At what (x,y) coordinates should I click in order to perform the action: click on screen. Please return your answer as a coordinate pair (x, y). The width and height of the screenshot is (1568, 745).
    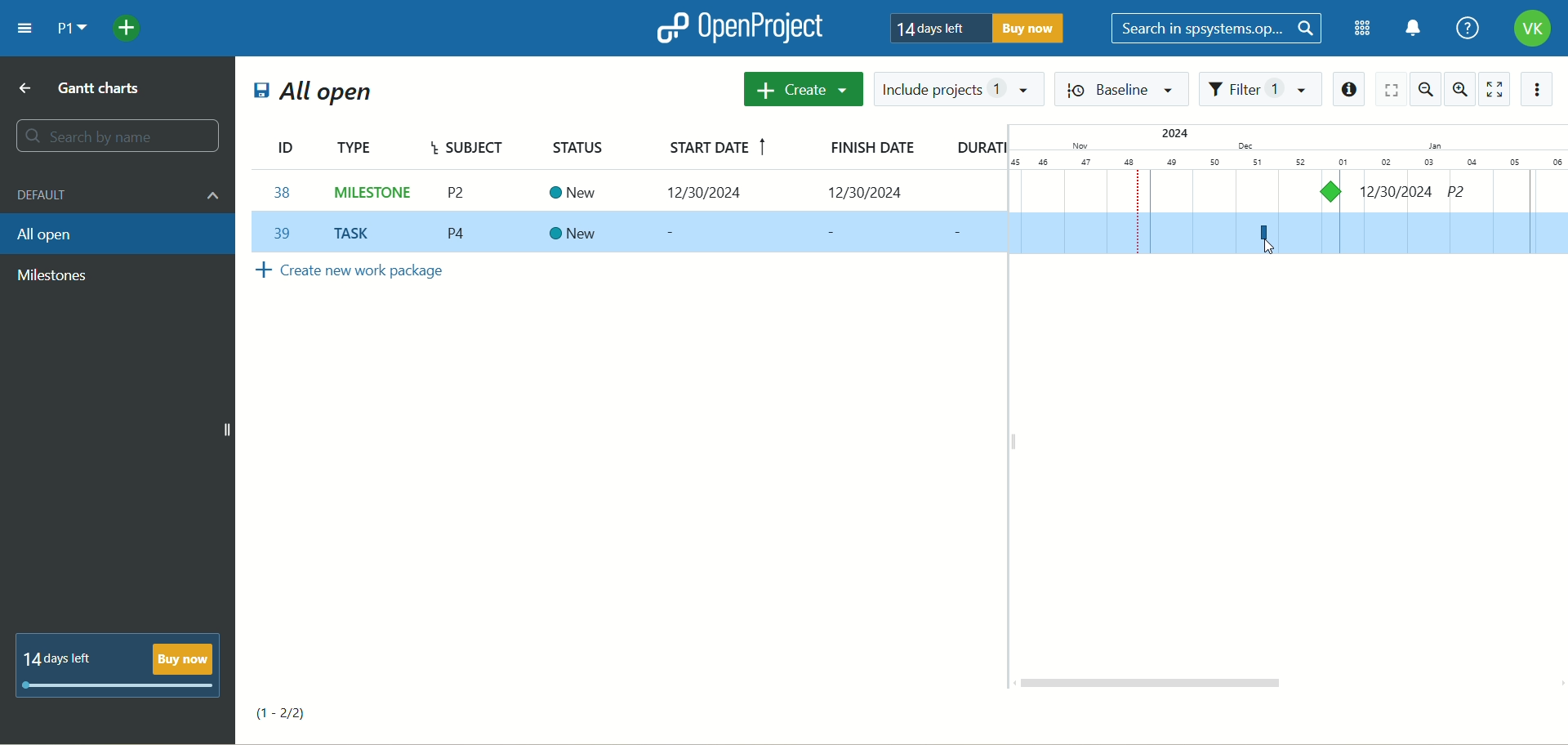
    Looking at the image, I should click on (1392, 89).